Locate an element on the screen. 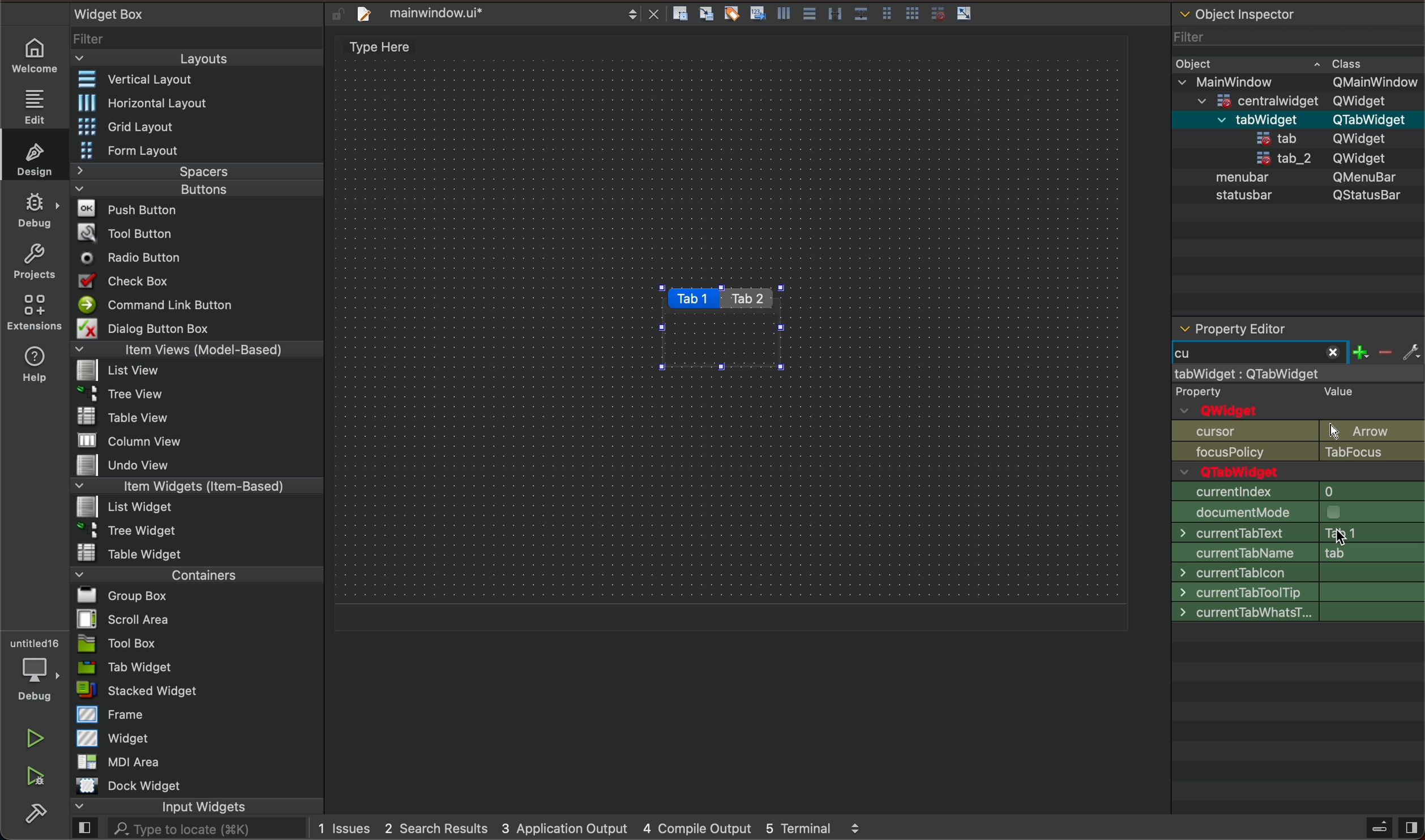  object name and Qwidget is located at coordinates (1303, 440).